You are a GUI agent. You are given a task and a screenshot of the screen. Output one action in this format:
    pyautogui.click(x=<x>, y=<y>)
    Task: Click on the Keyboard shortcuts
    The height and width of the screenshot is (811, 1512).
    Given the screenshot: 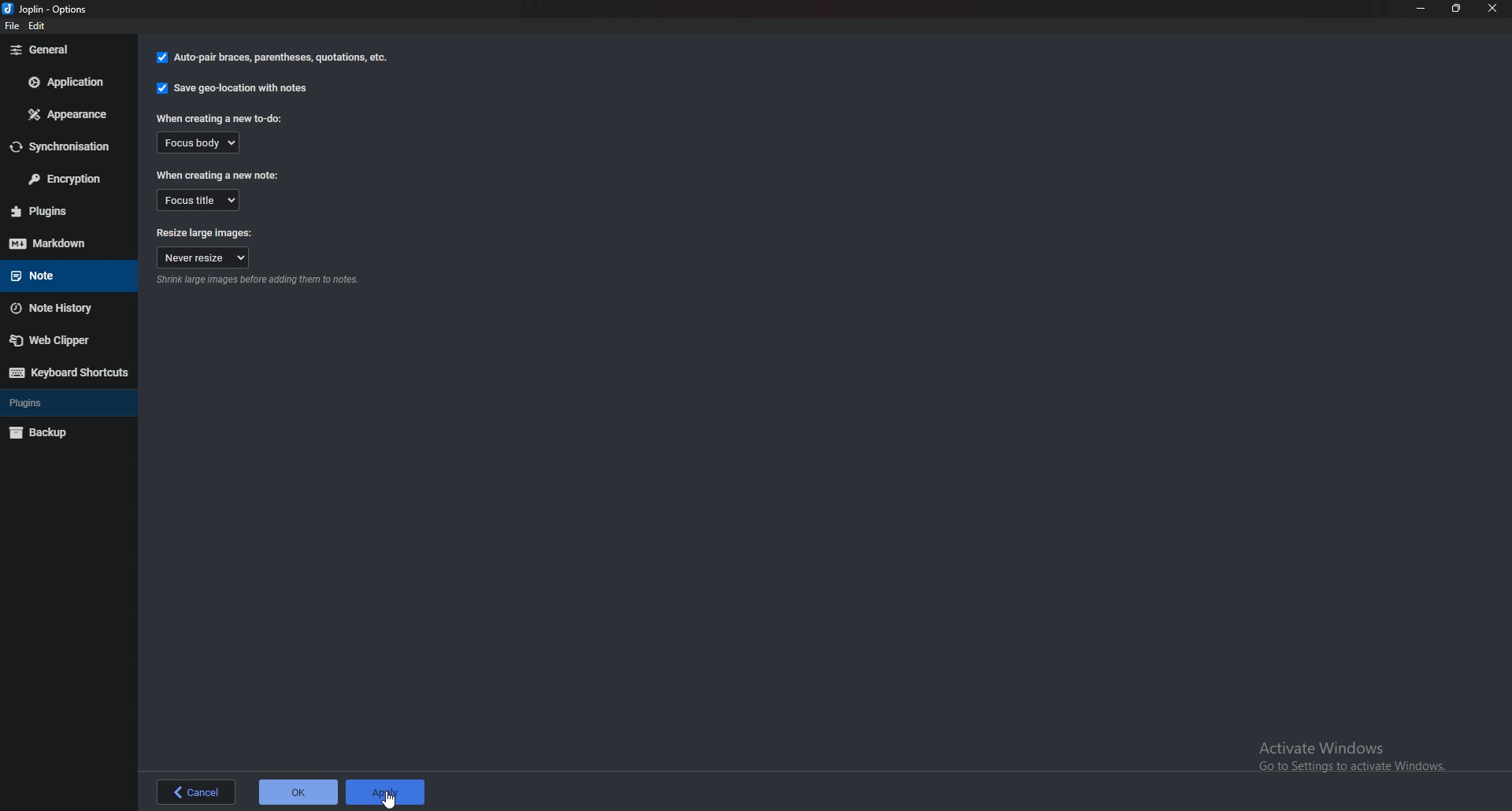 What is the action you would take?
    pyautogui.click(x=67, y=372)
    